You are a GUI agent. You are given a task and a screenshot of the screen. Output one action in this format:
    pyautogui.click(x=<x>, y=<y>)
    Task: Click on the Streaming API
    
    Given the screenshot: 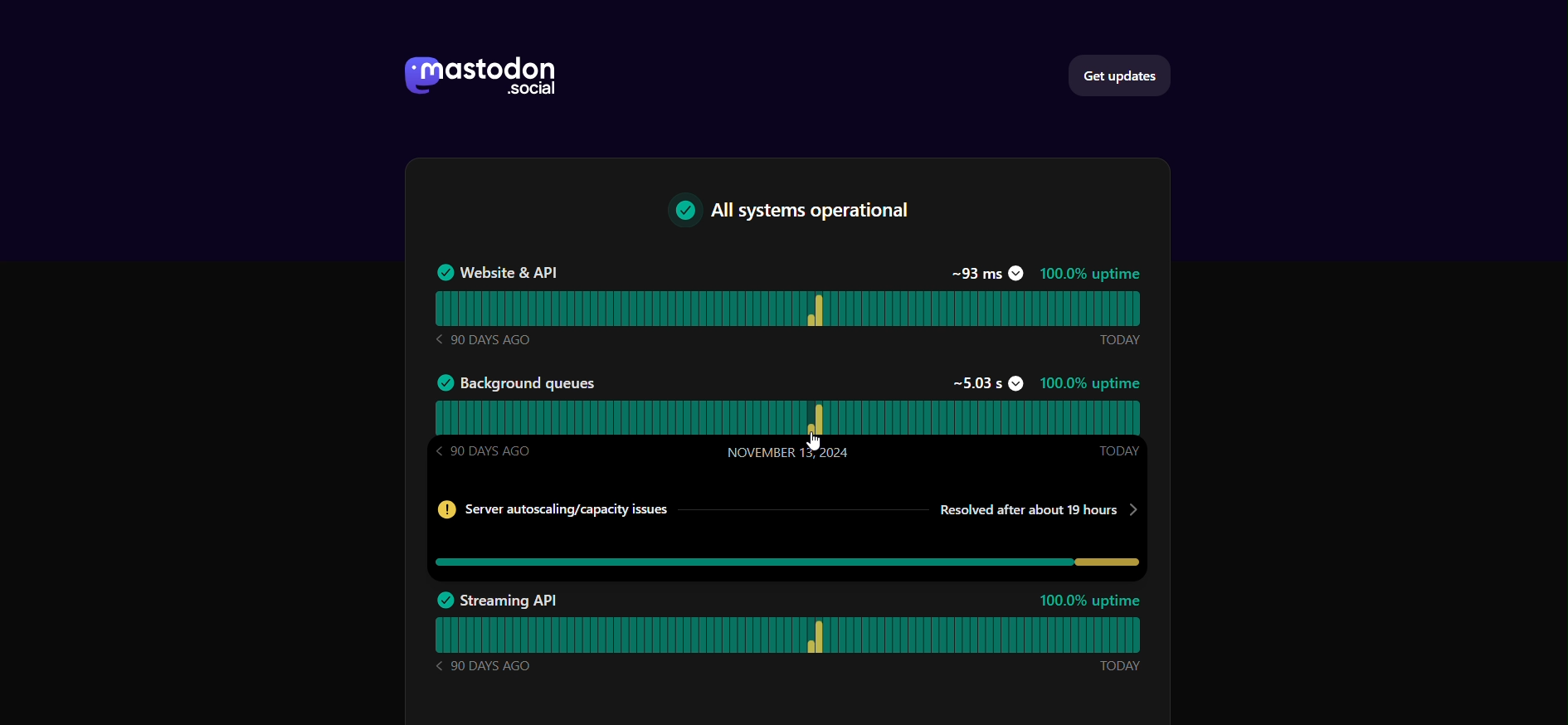 What is the action you would take?
    pyautogui.click(x=496, y=601)
    